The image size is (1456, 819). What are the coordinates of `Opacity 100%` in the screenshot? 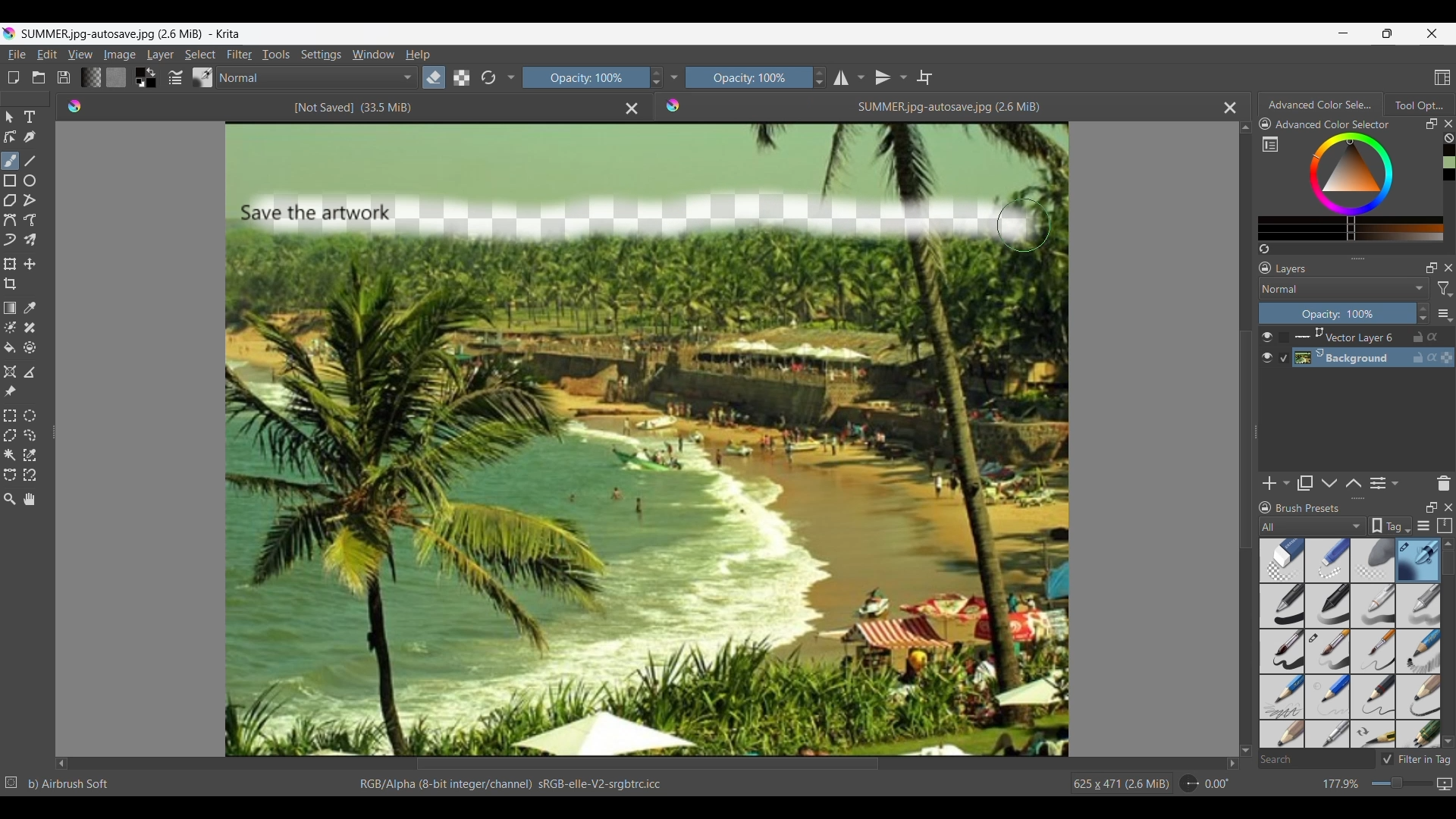 It's located at (1337, 314).